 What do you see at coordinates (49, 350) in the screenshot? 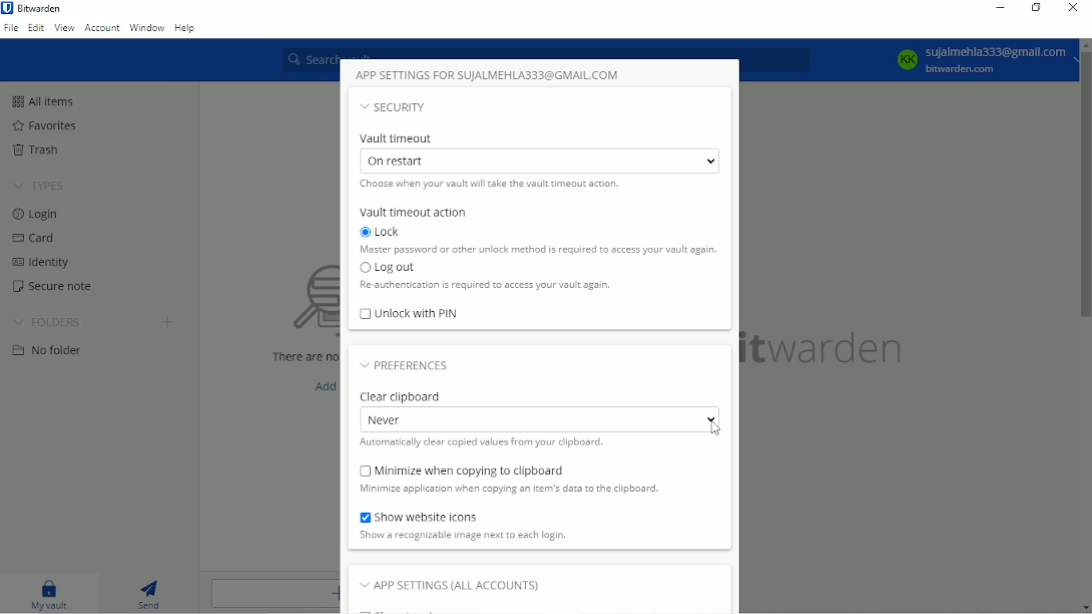
I see `No folder` at bounding box center [49, 350].